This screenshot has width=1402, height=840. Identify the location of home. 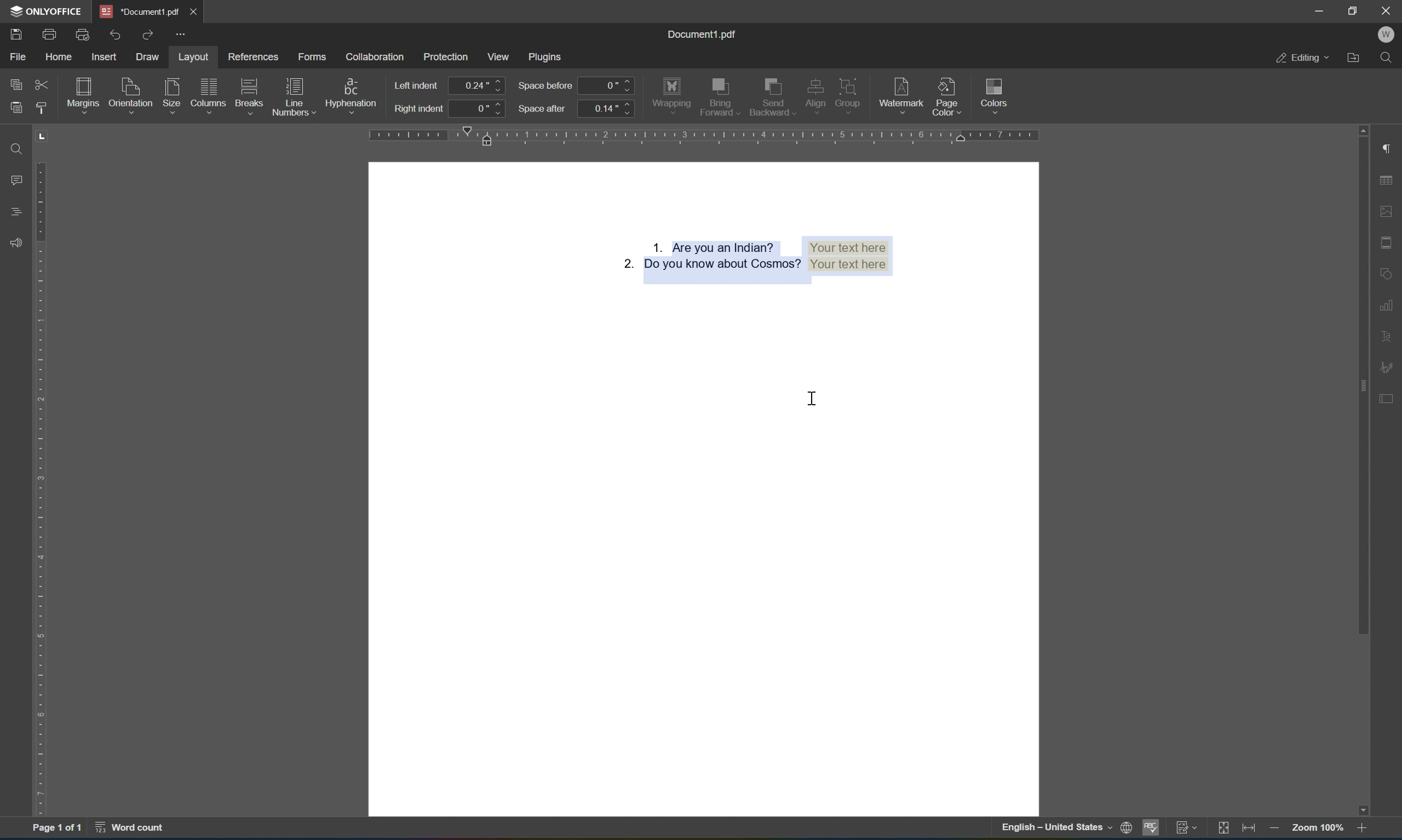
(60, 57).